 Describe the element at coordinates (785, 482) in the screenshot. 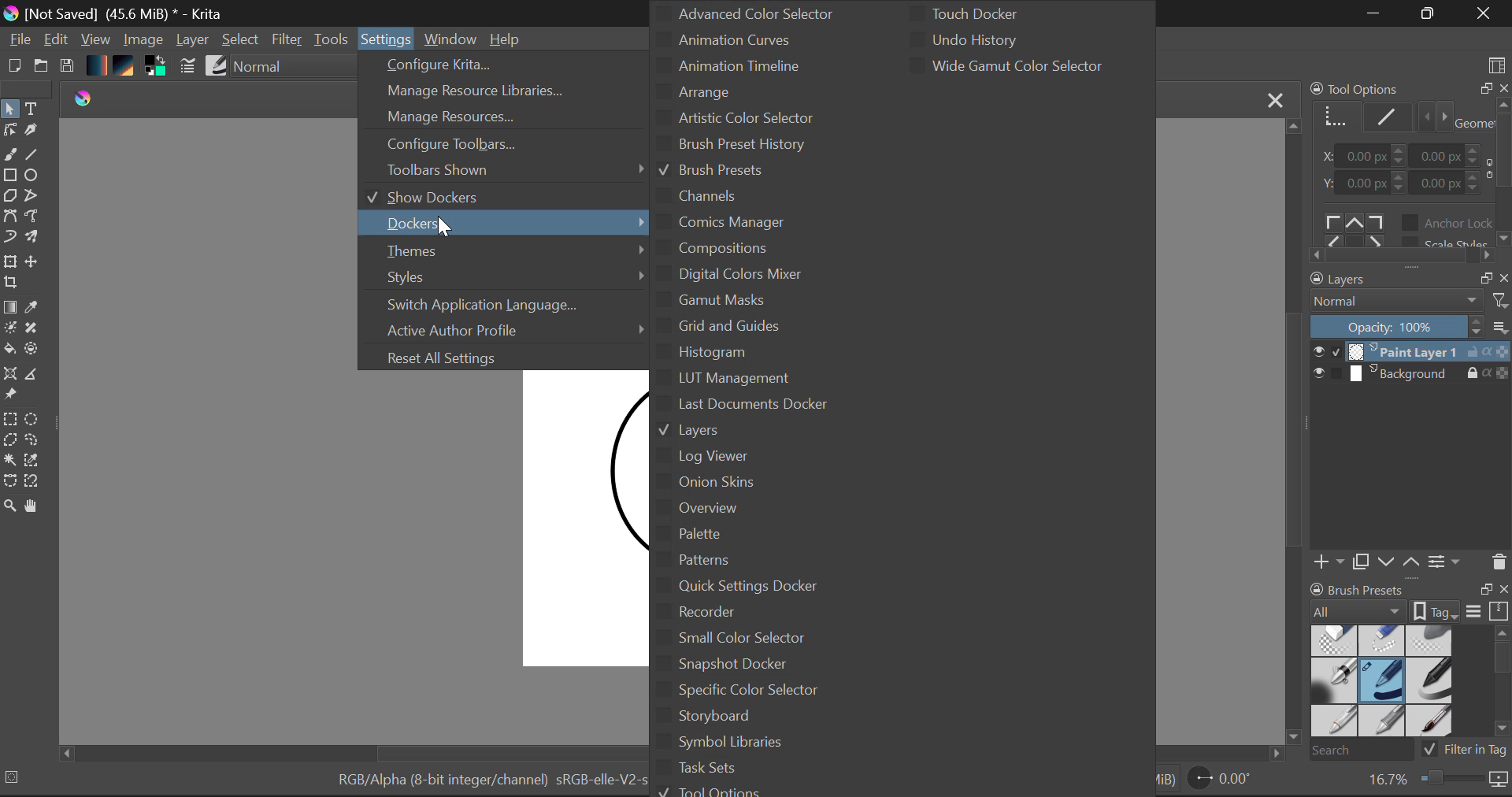

I see `Onion Skins` at that location.